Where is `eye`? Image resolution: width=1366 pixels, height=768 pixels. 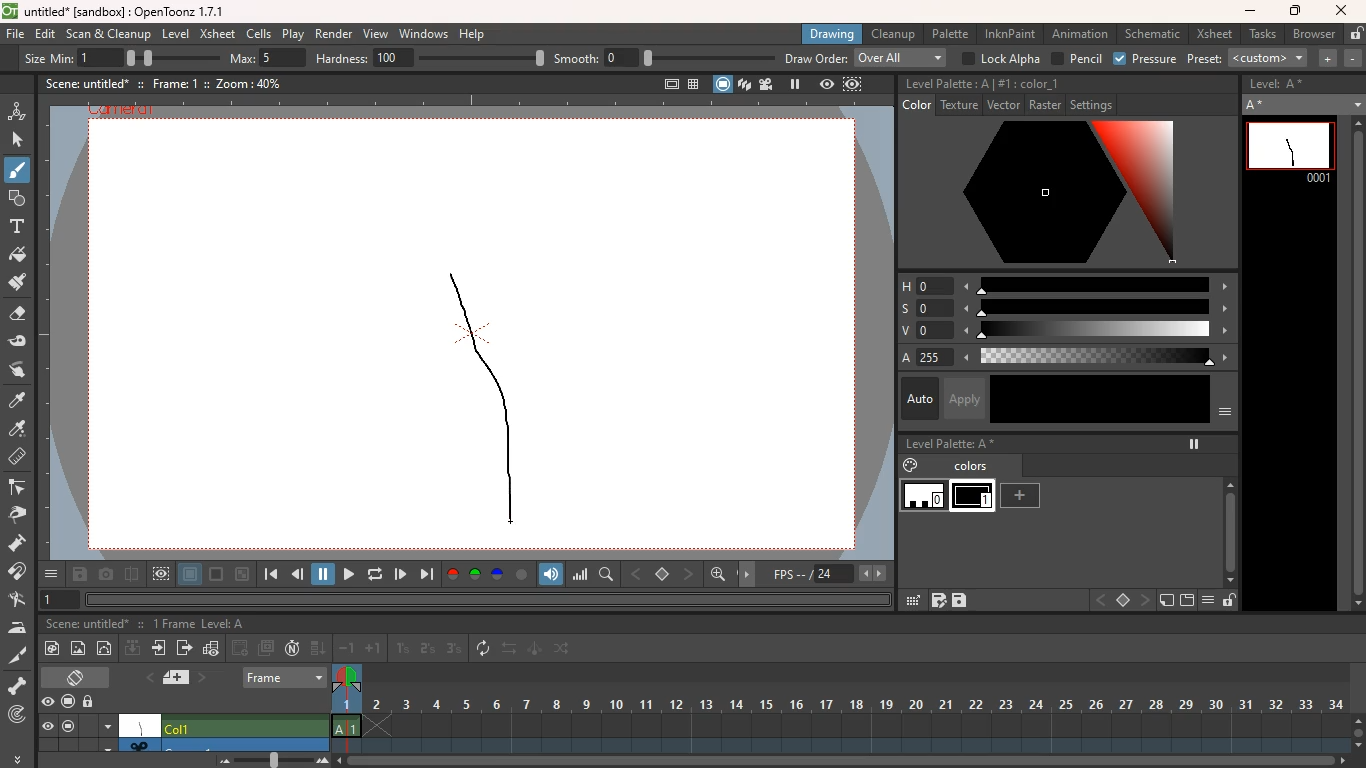 eye is located at coordinates (49, 703).